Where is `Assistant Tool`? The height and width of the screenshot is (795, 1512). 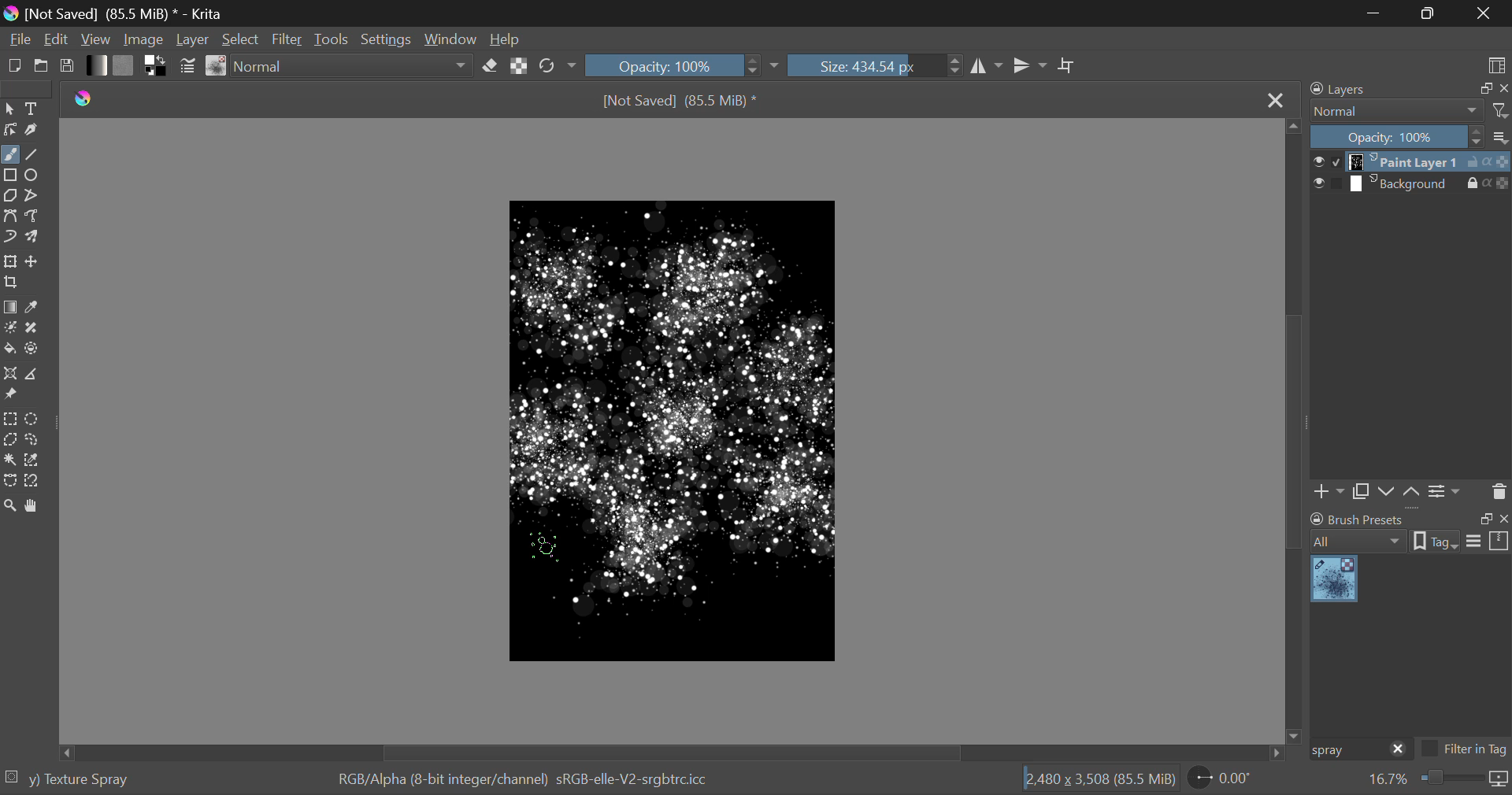
Assistant Tool is located at coordinates (9, 374).